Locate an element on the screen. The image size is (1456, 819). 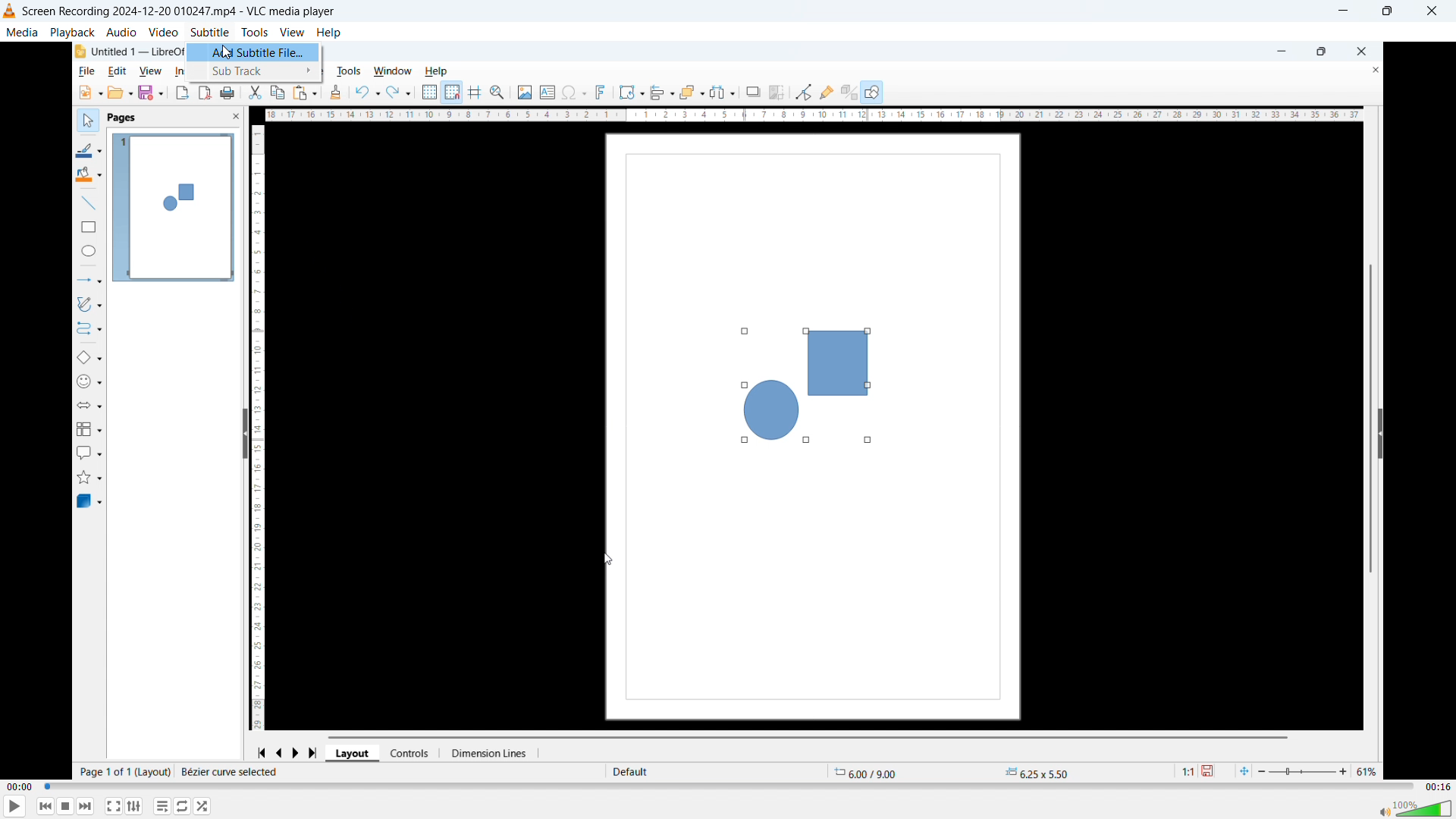
window is located at coordinates (393, 71).